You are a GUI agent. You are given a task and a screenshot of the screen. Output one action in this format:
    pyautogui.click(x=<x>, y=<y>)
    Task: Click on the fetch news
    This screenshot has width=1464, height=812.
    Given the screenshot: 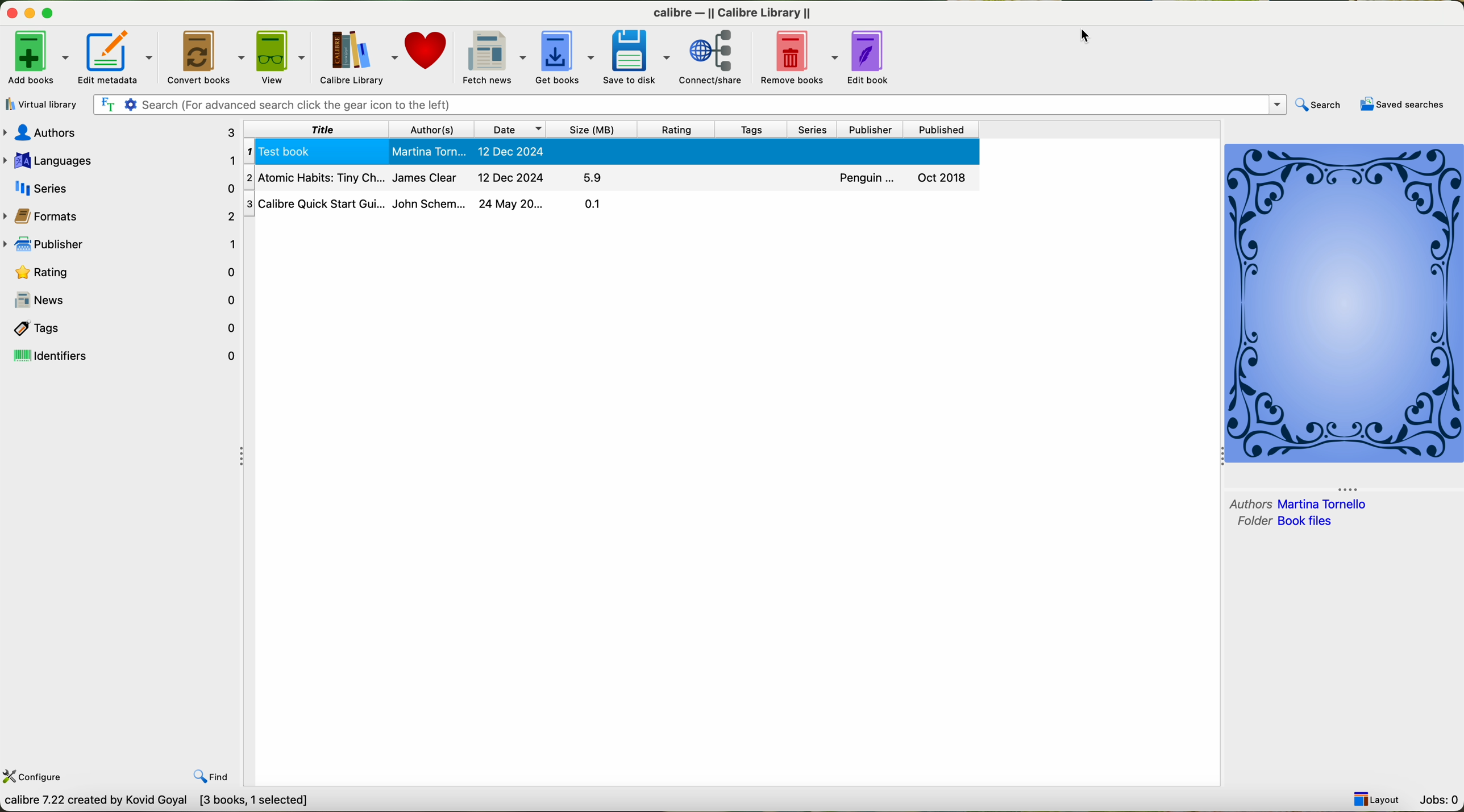 What is the action you would take?
    pyautogui.click(x=491, y=56)
    